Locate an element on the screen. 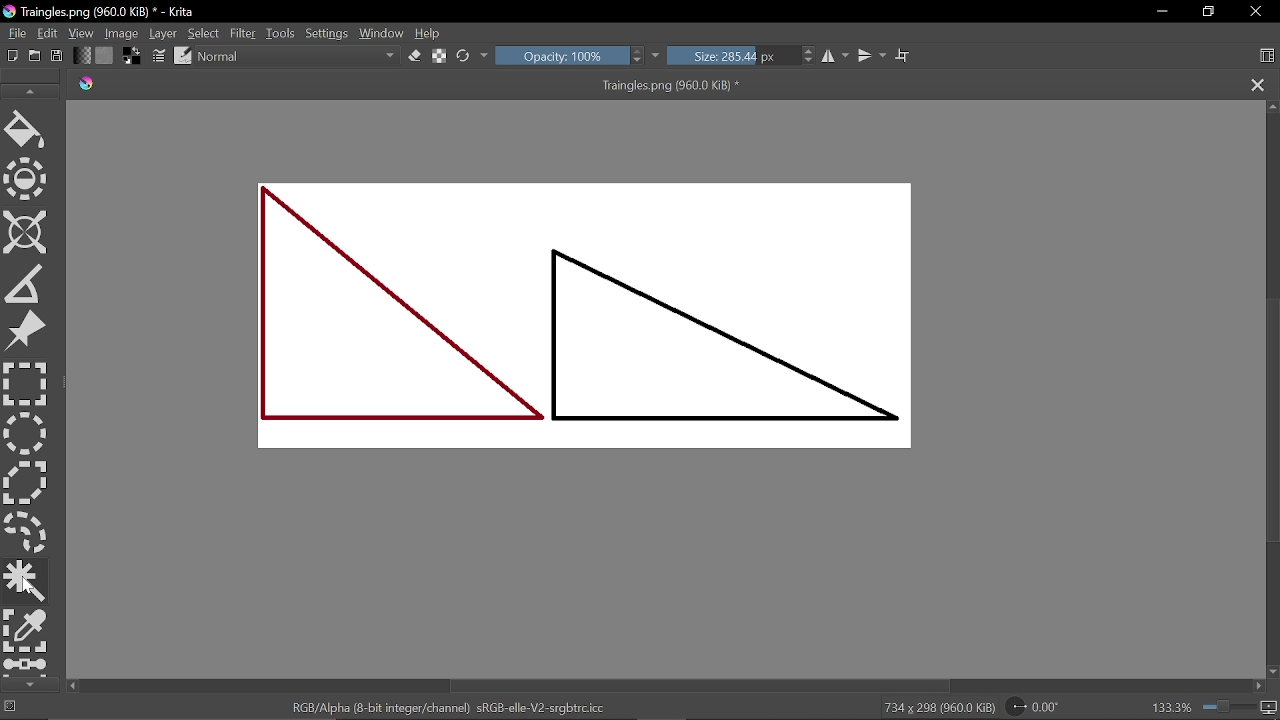 The height and width of the screenshot is (720, 1280). Tools is located at coordinates (282, 33).